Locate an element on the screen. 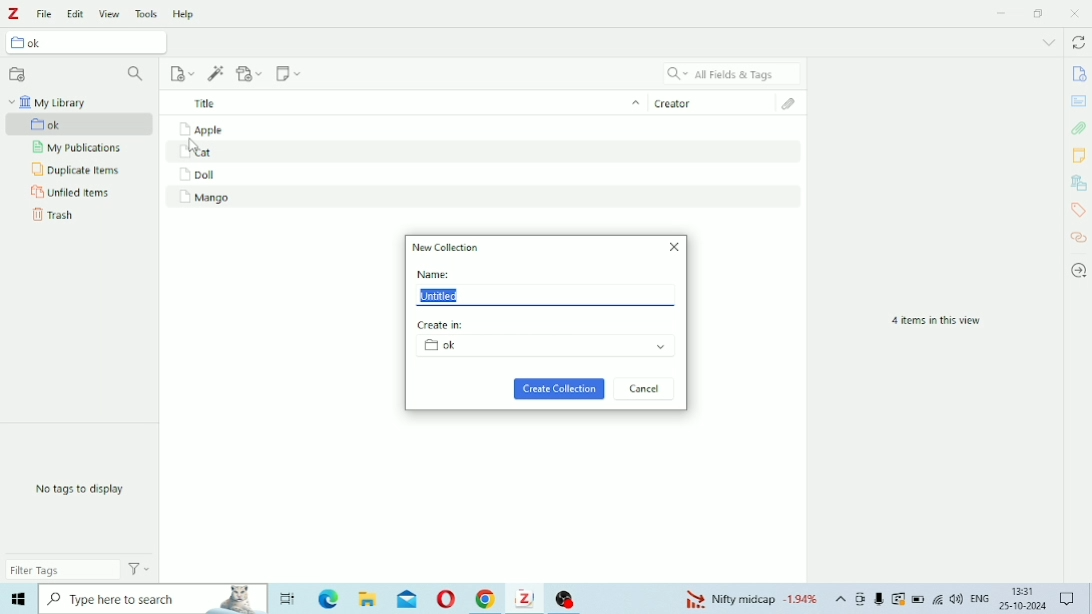 This screenshot has width=1092, height=614. 25-10-2024 is located at coordinates (1023, 606).